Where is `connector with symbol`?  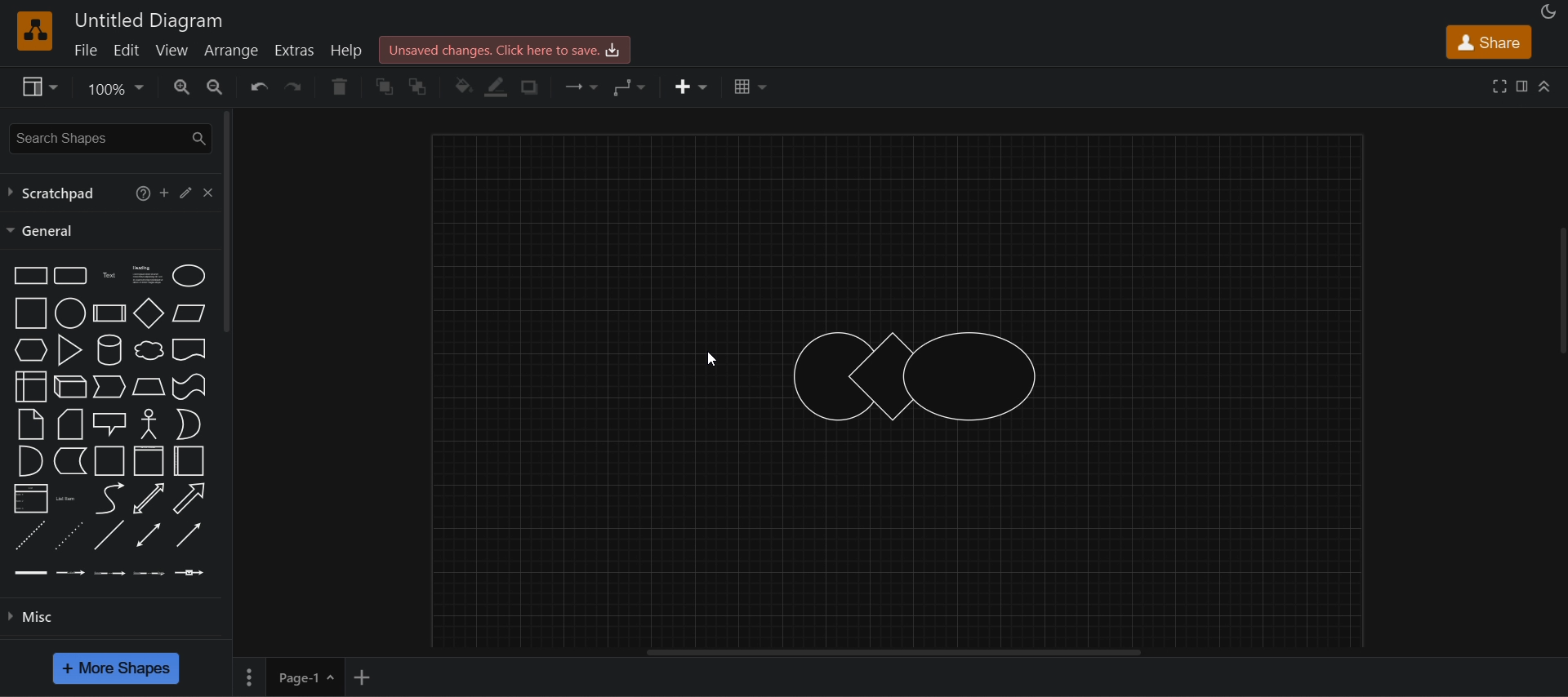 connector with symbol is located at coordinates (190, 570).